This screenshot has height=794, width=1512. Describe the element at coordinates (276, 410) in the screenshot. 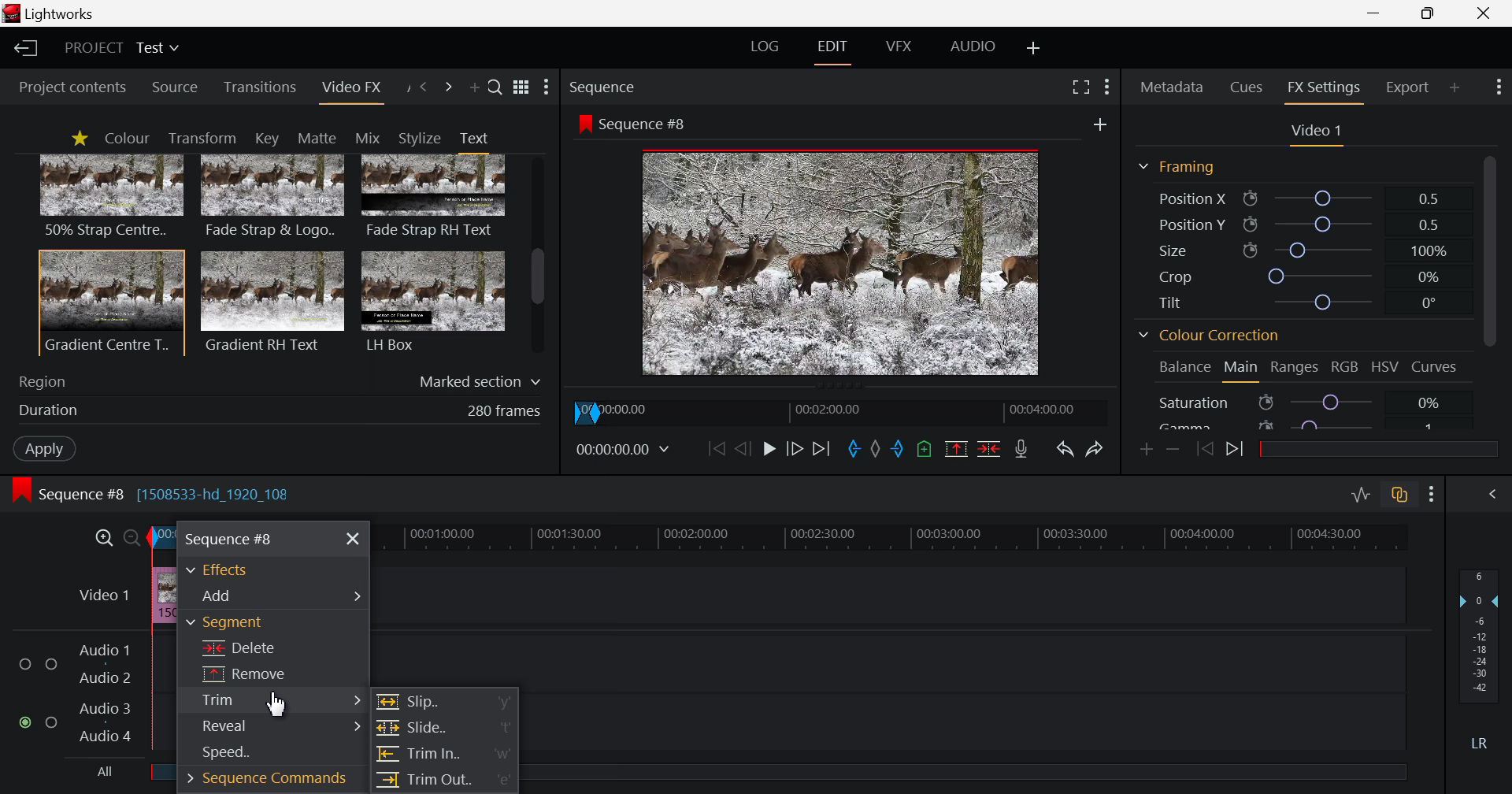

I see `Duration` at that location.